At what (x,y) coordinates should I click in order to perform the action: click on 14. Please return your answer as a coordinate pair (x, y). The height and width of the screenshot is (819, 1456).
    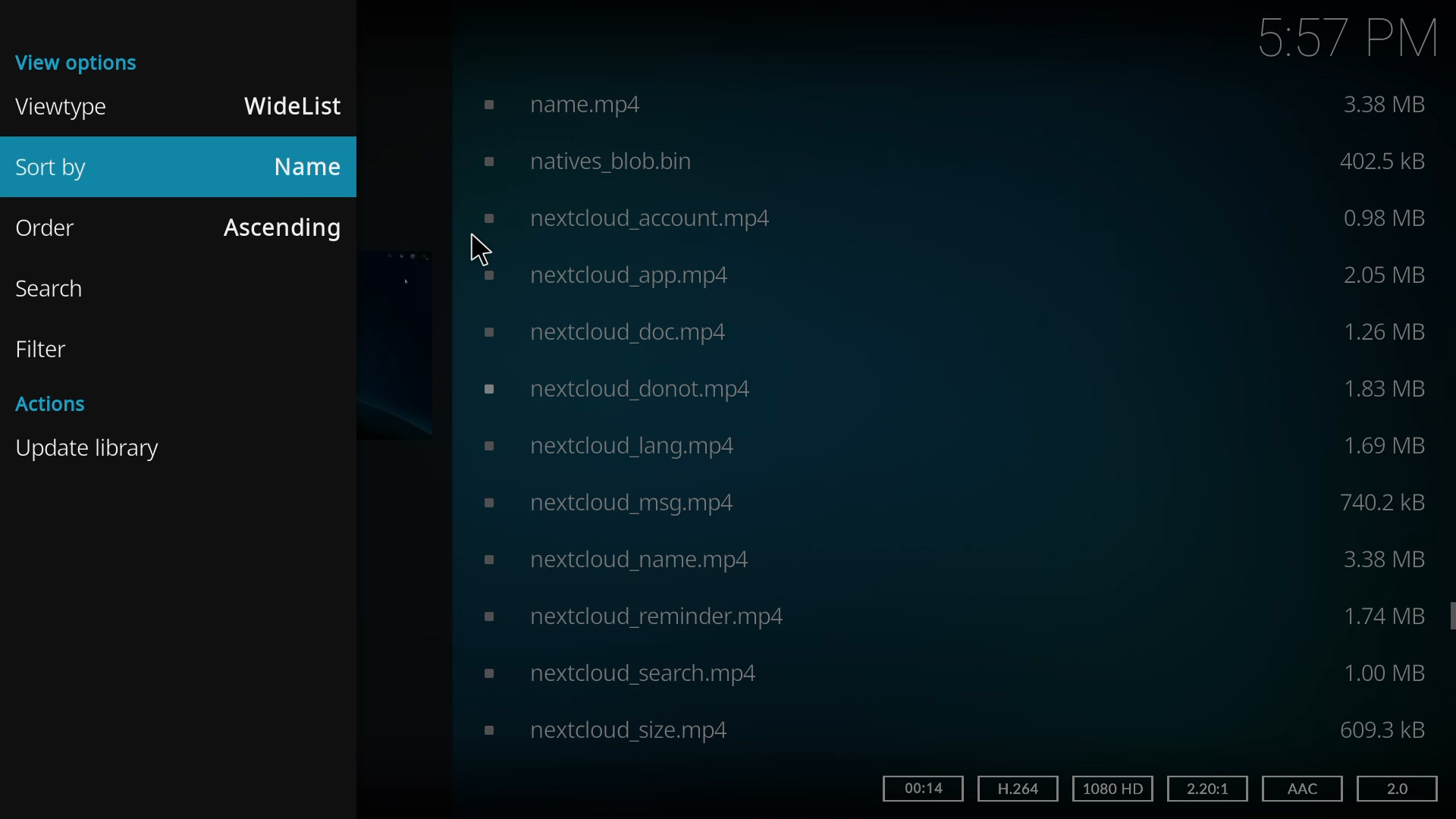
    Looking at the image, I should click on (921, 787).